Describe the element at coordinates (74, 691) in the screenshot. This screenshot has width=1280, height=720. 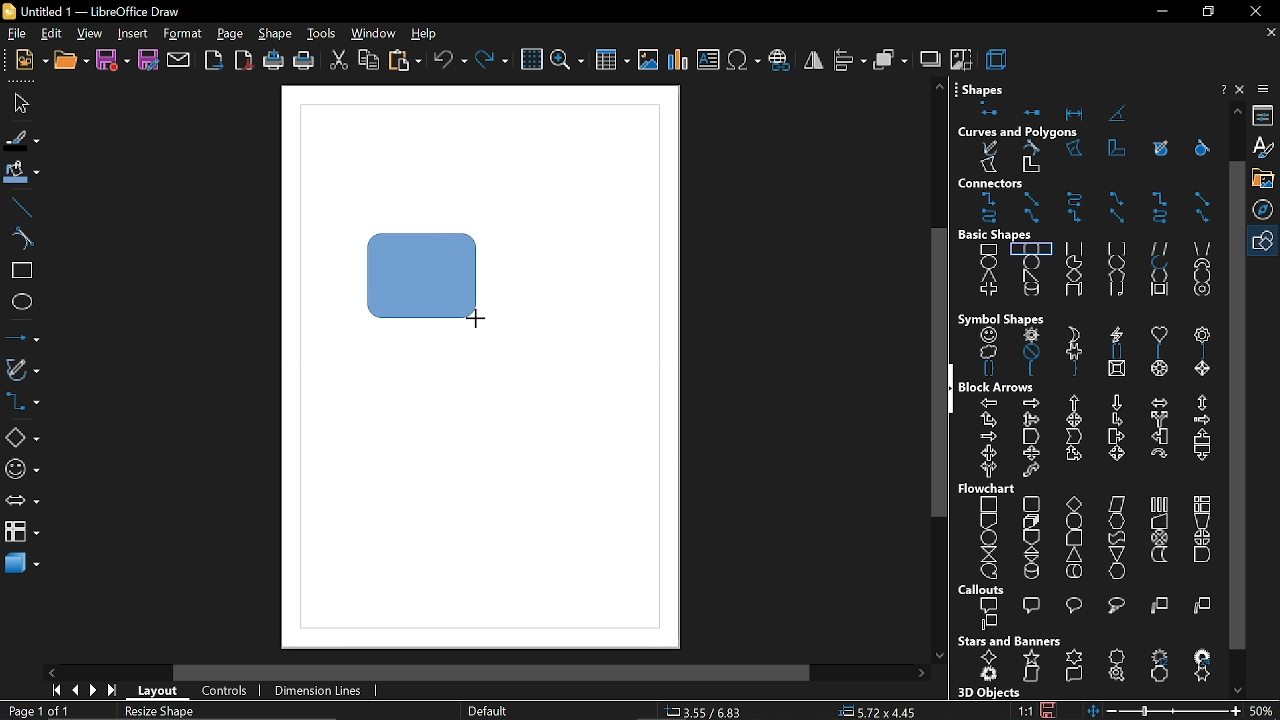
I see `previous page` at that location.